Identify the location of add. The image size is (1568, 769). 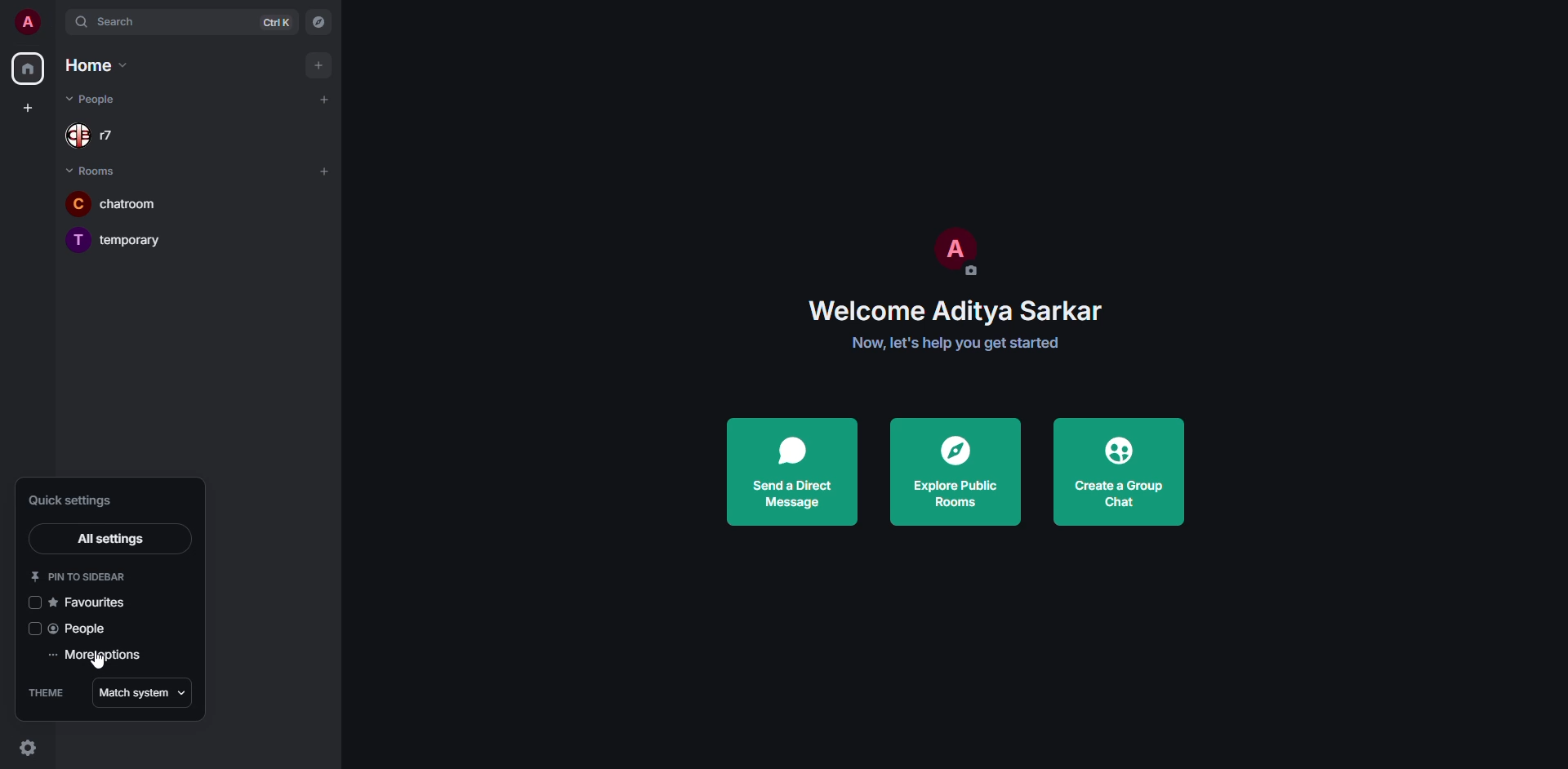
(324, 171).